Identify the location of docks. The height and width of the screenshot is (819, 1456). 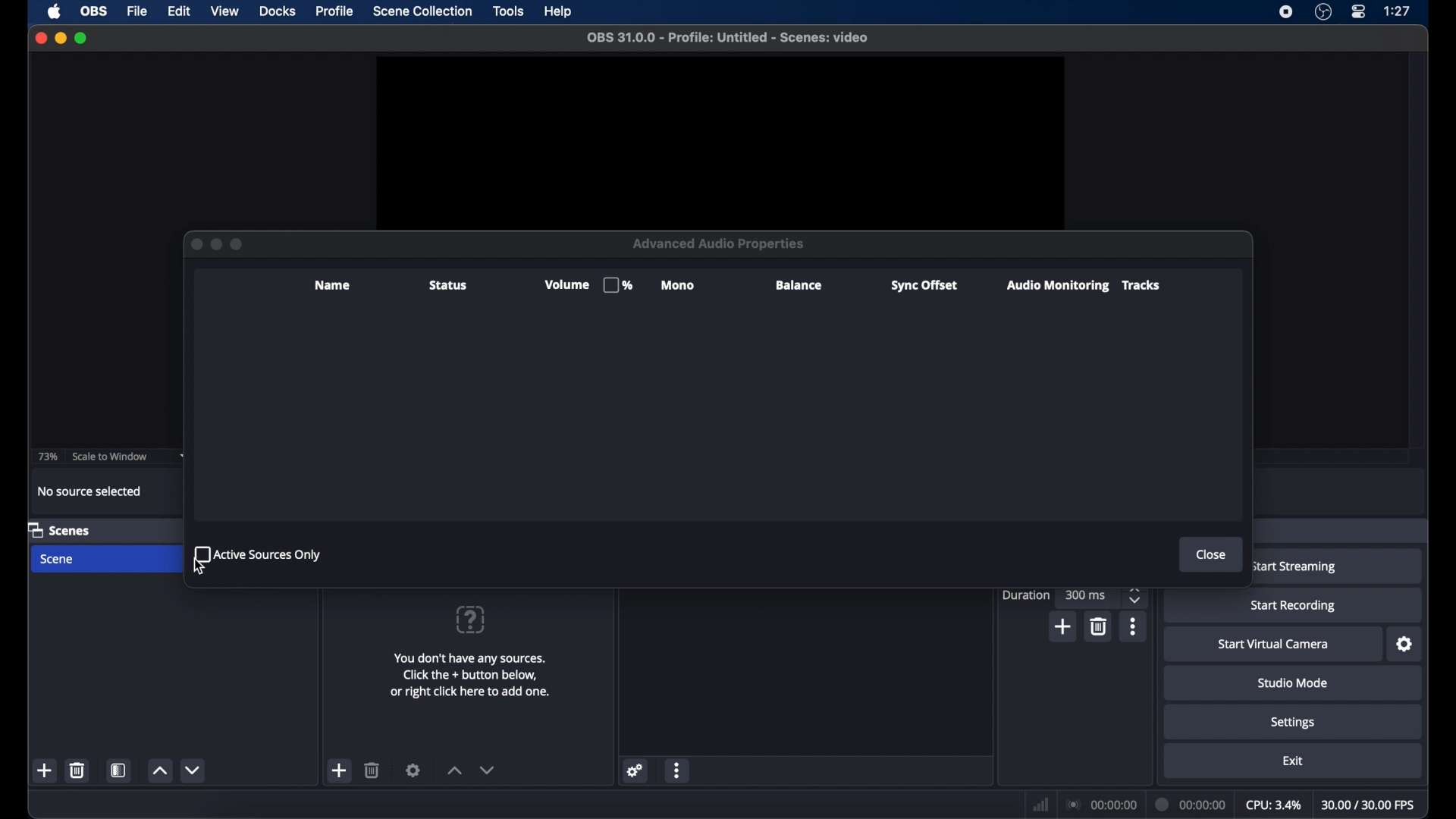
(278, 11).